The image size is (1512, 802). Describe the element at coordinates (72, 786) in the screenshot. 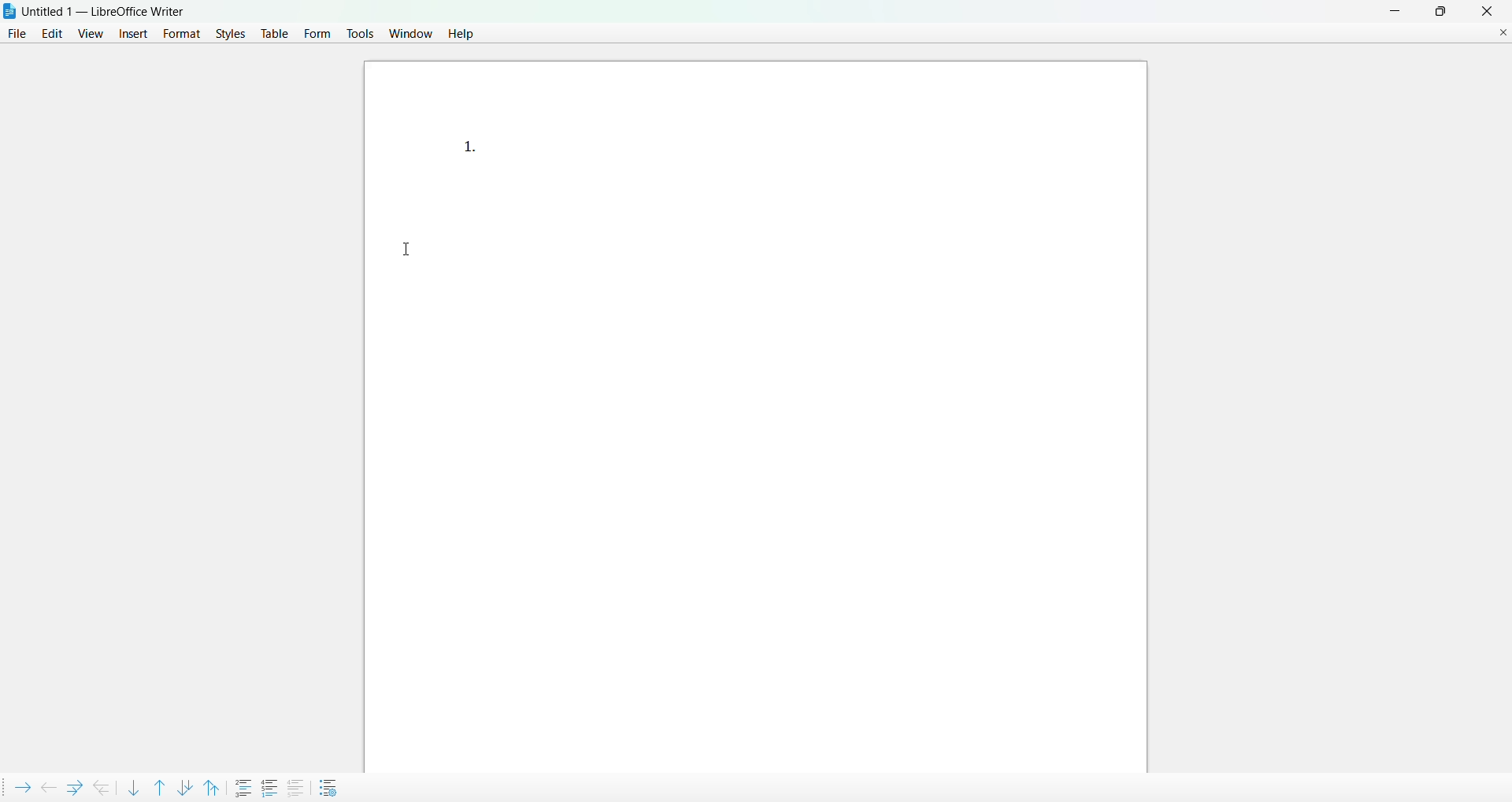

I see `demote outline level with subpoints` at that location.